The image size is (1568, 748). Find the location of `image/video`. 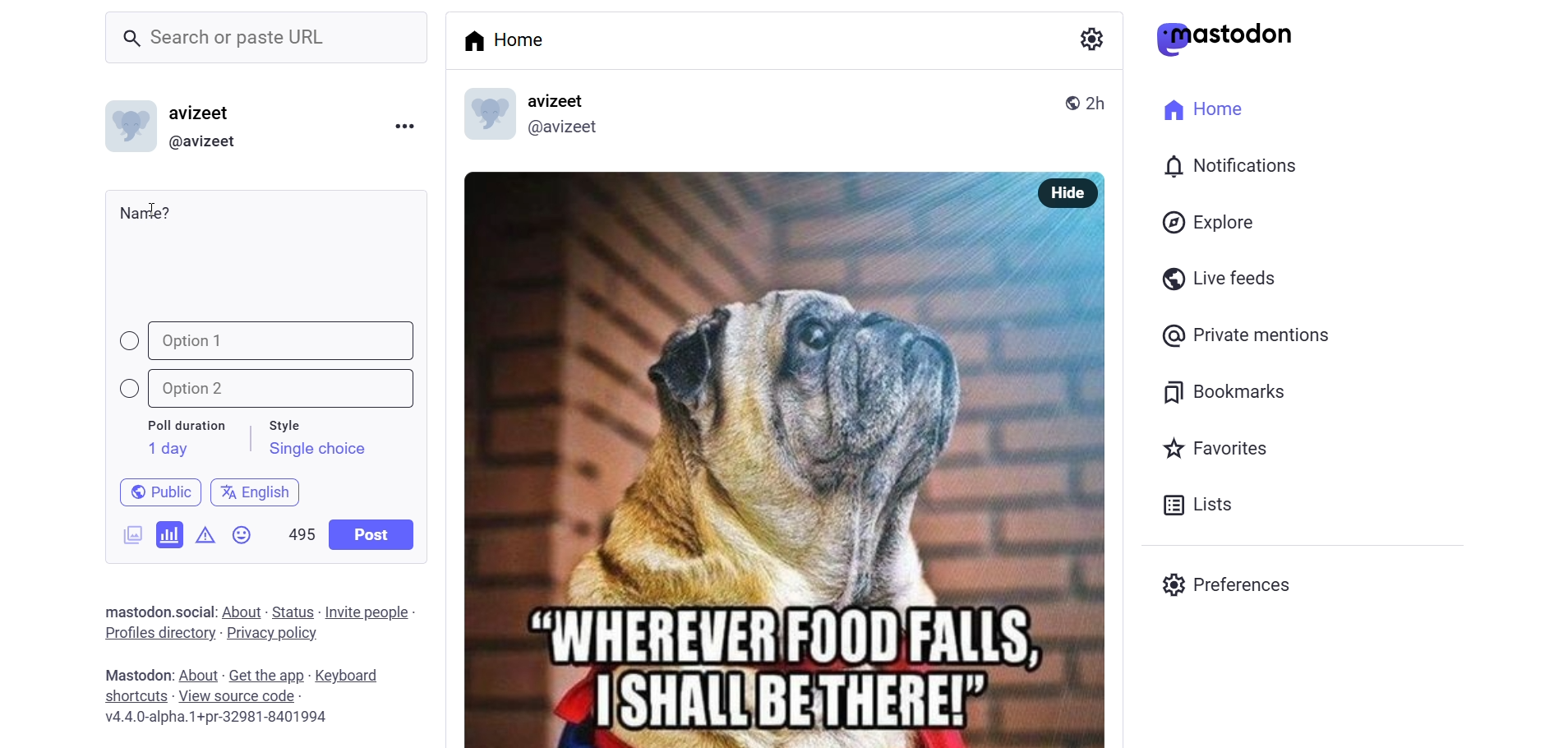

image/video is located at coordinates (127, 532).